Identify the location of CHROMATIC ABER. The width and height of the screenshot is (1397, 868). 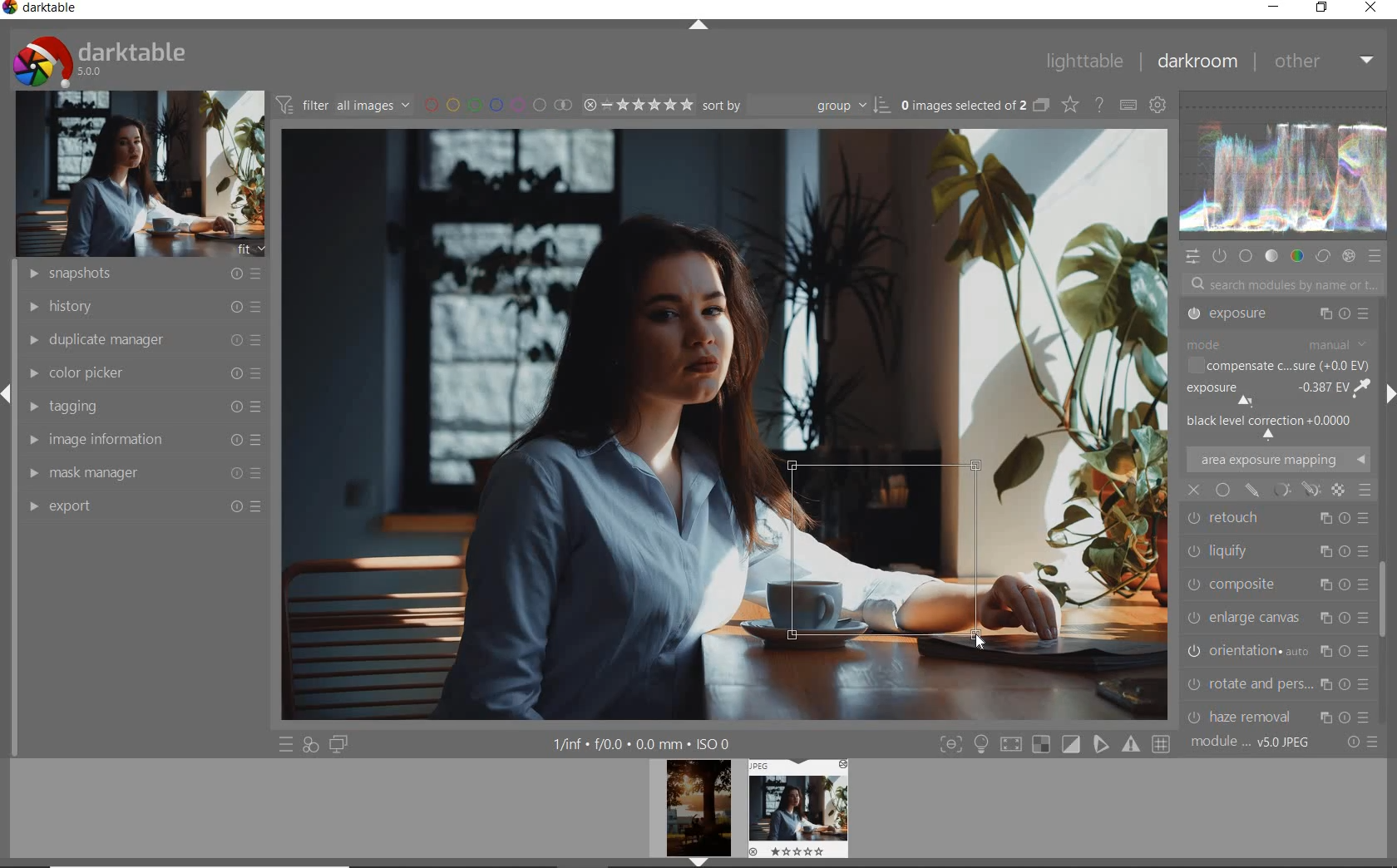
(1276, 650).